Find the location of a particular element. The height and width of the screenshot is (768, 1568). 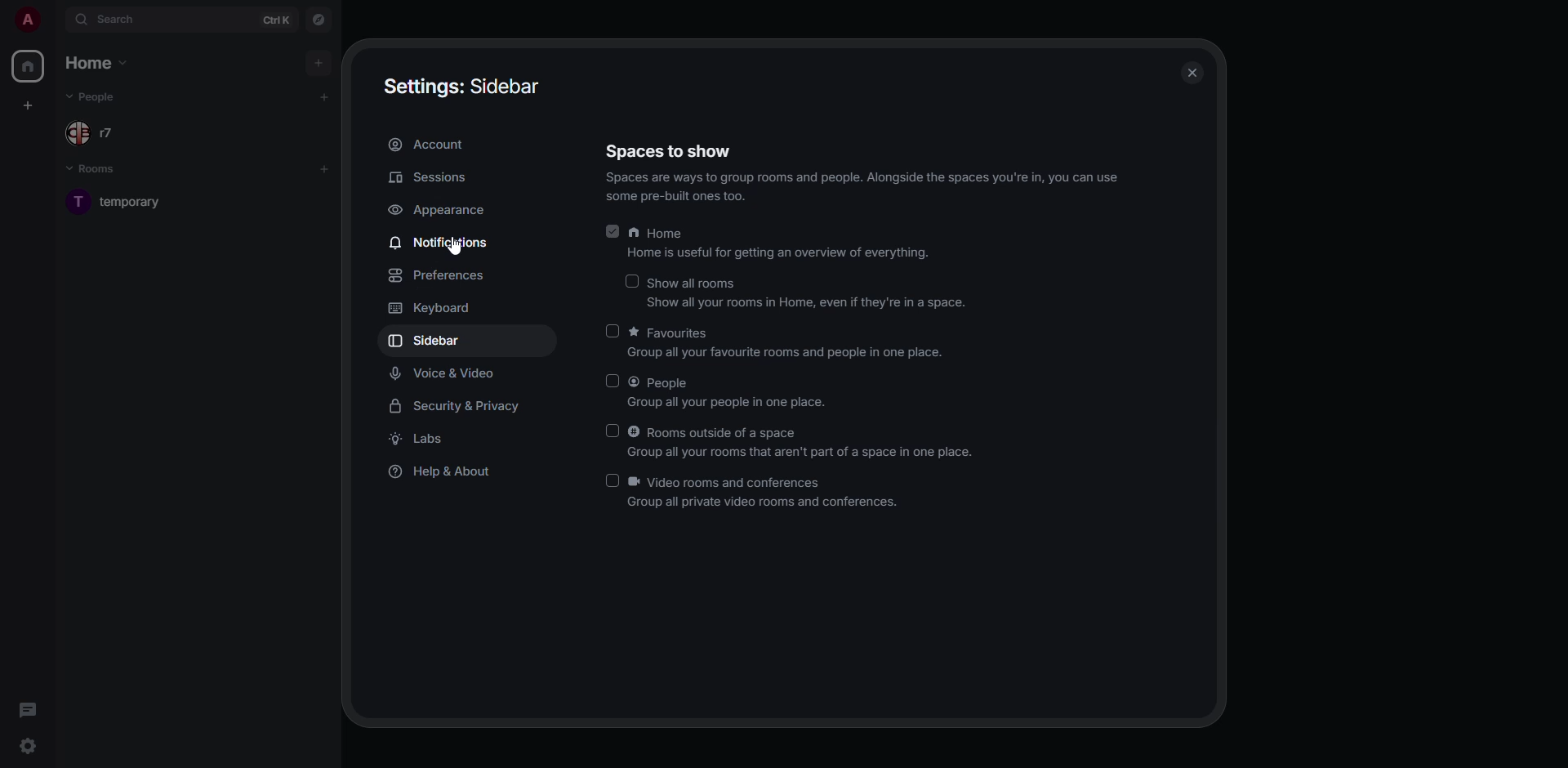

people is located at coordinates (95, 96).